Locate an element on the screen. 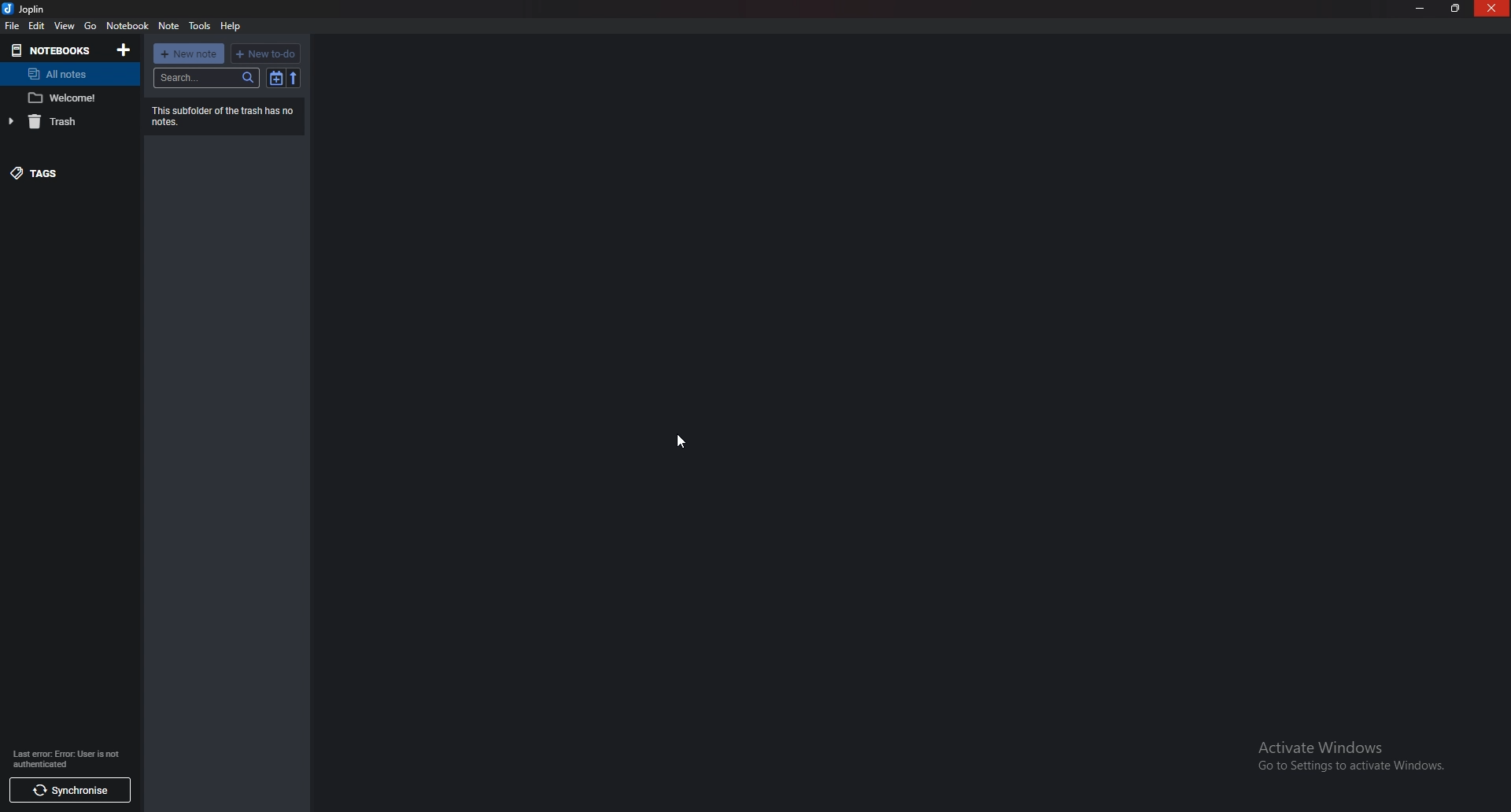 The width and height of the screenshot is (1511, 812). resize is located at coordinates (1455, 8).